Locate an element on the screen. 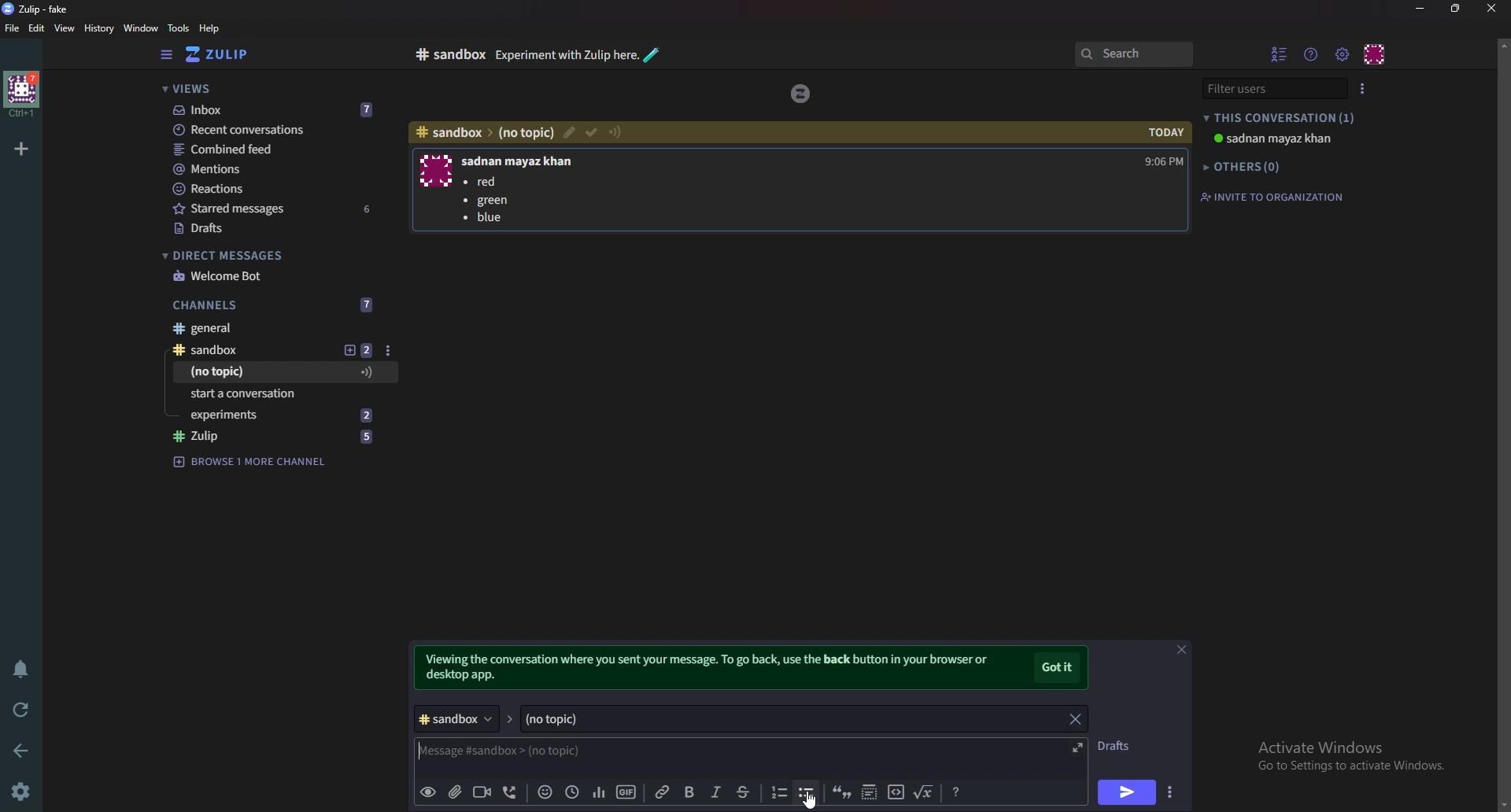  close message is located at coordinates (1180, 649).